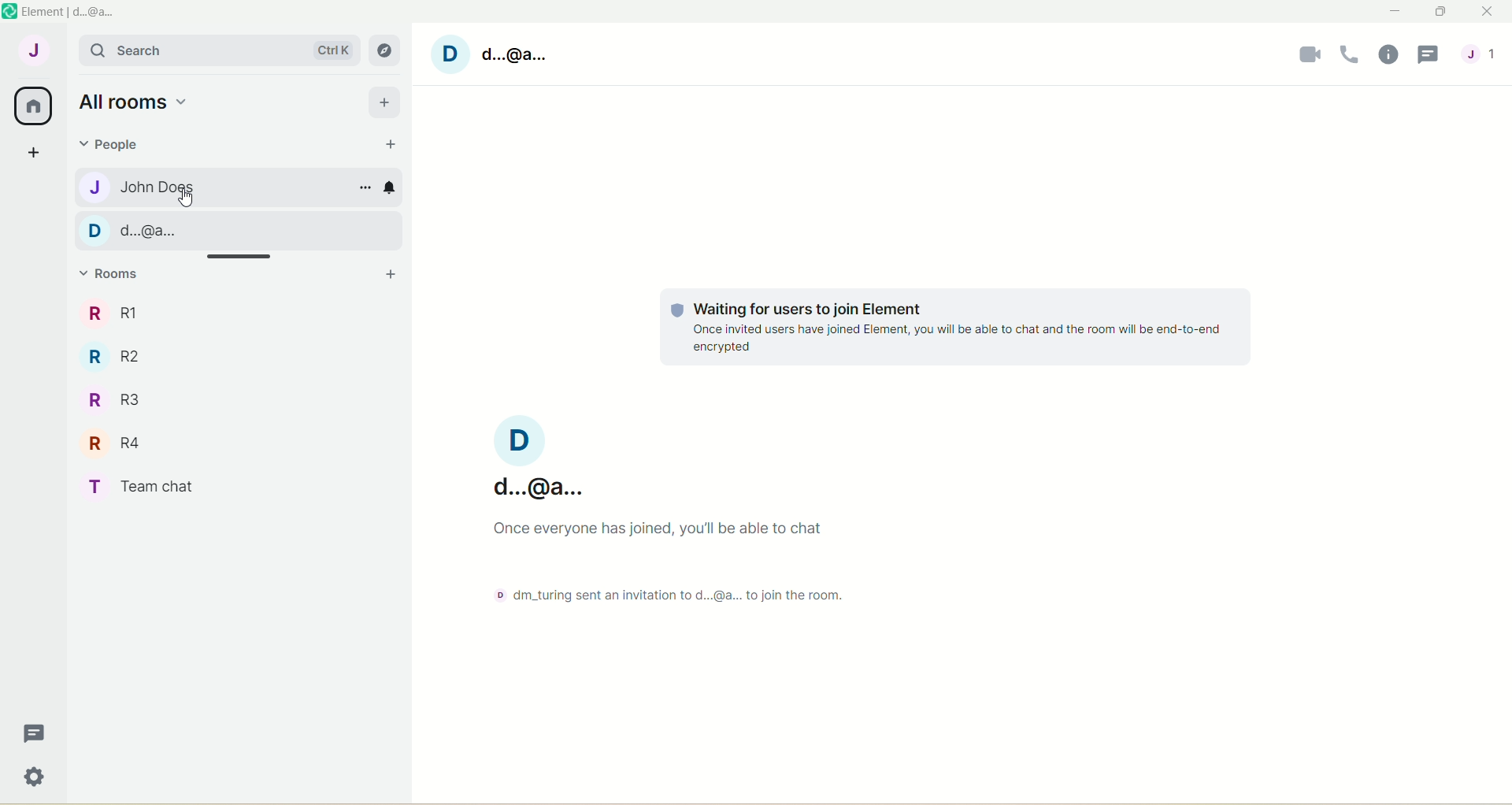  I want to click on ctrl k, so click(330, 46).